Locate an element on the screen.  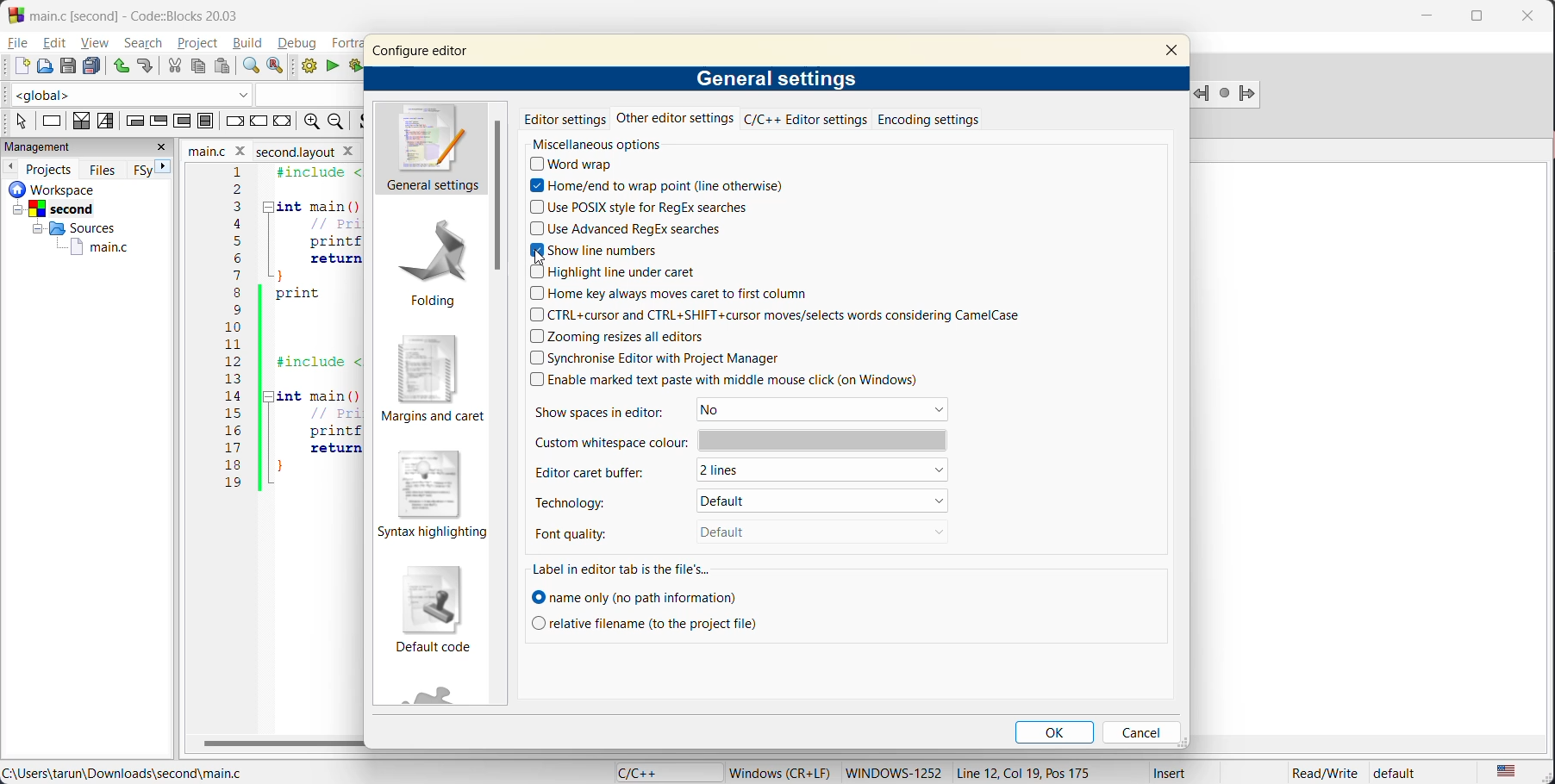
minimize is located at coordinates (1427, 17).